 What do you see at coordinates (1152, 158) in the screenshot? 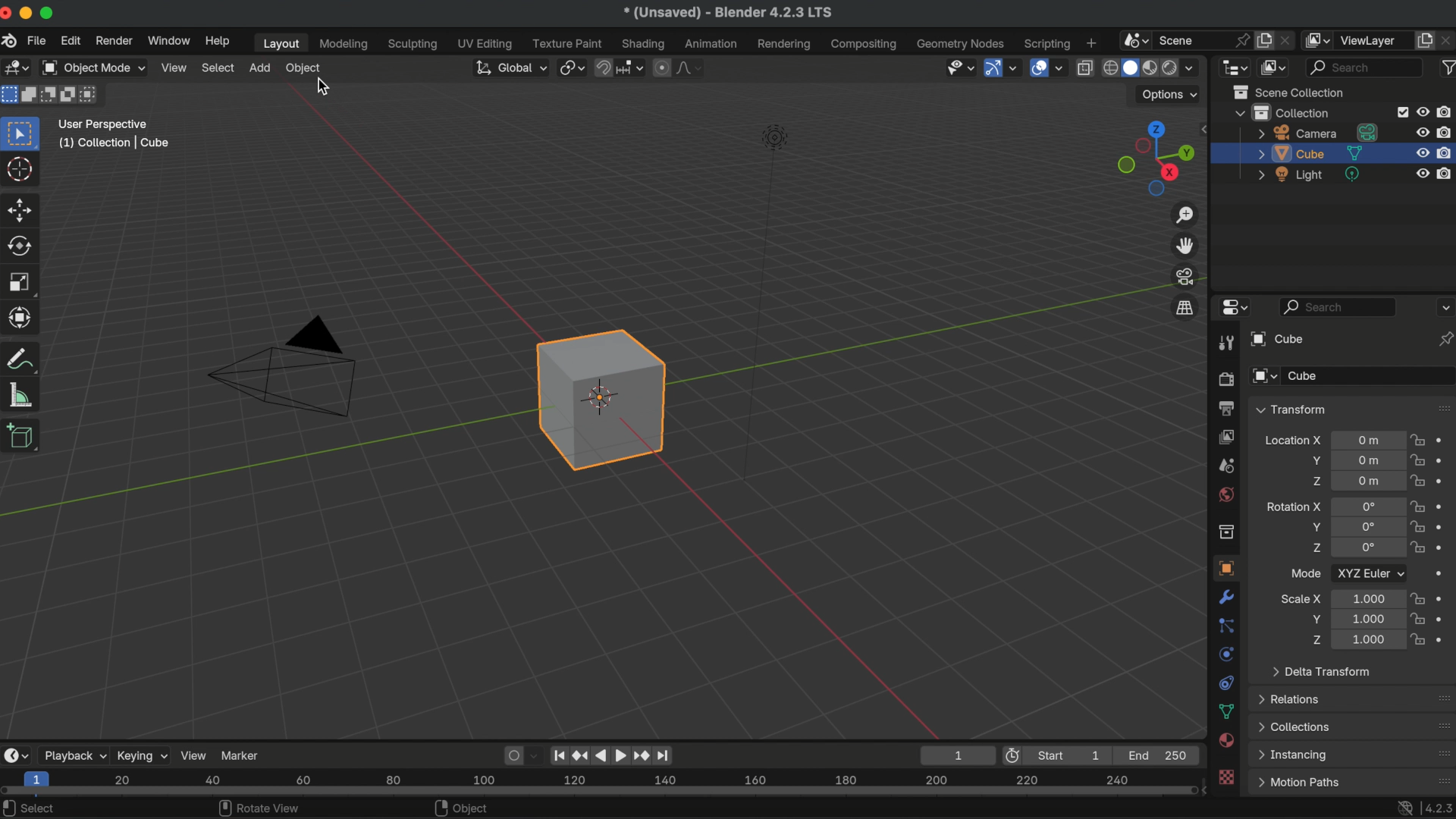
I see `preset viewpoints` at bounding box center [1152, 158].